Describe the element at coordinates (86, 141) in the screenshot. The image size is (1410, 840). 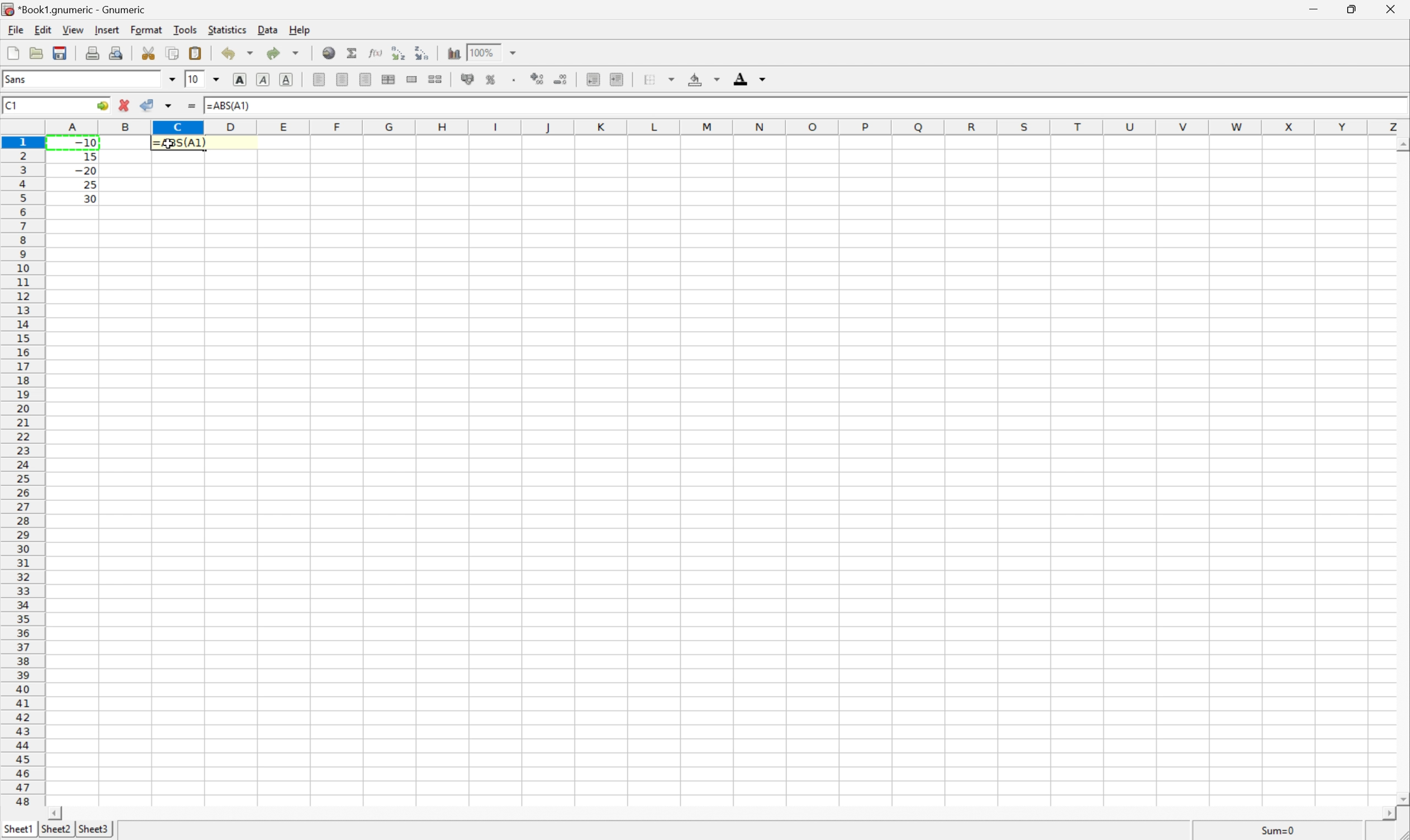
I see `-10` at that location.